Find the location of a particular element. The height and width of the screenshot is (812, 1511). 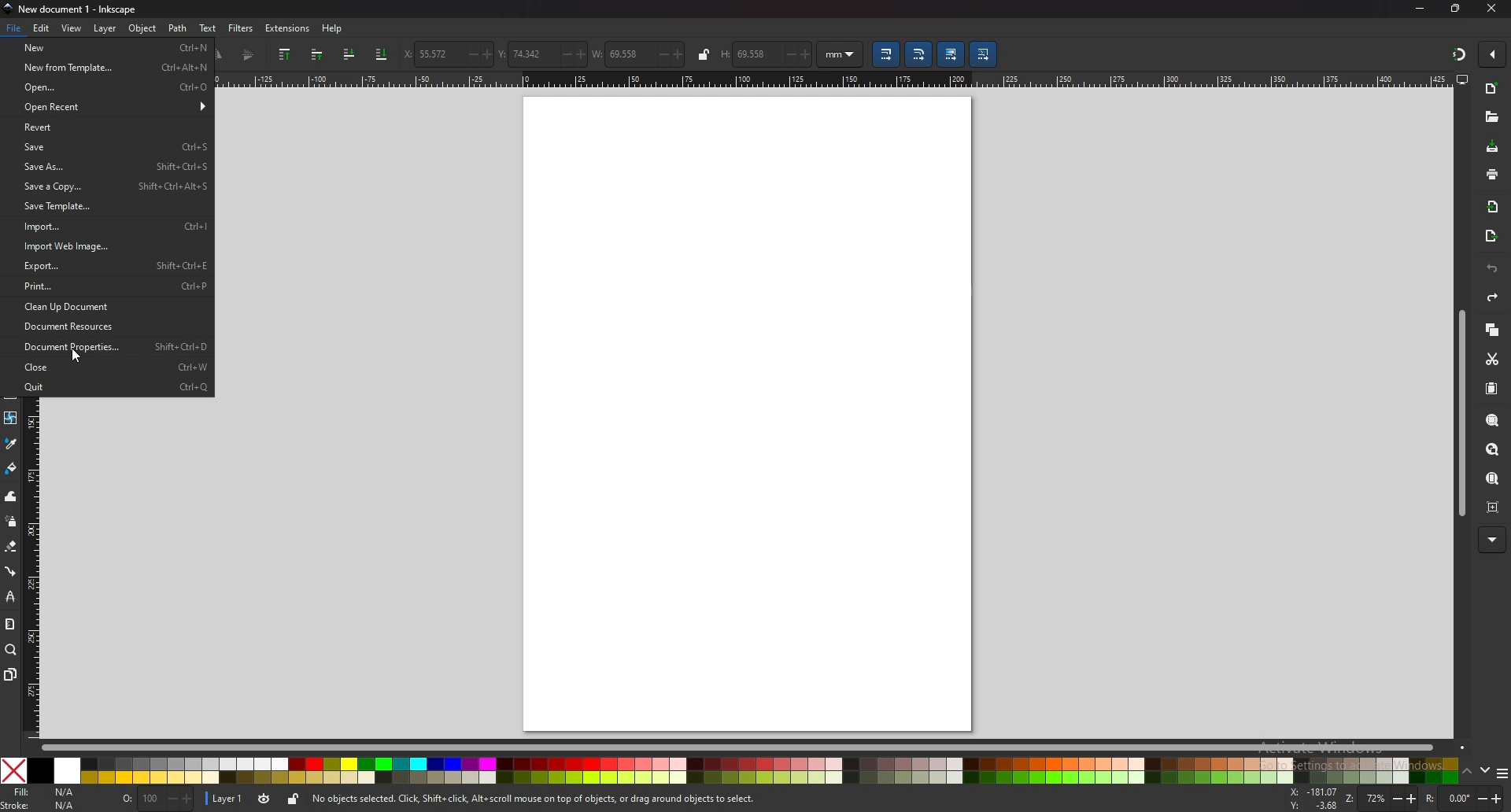

No objects selected. Click, Shift+ click, Alt scroll mouse on top of objects, or drag around objects to select, is located at coordinates (549, 799).